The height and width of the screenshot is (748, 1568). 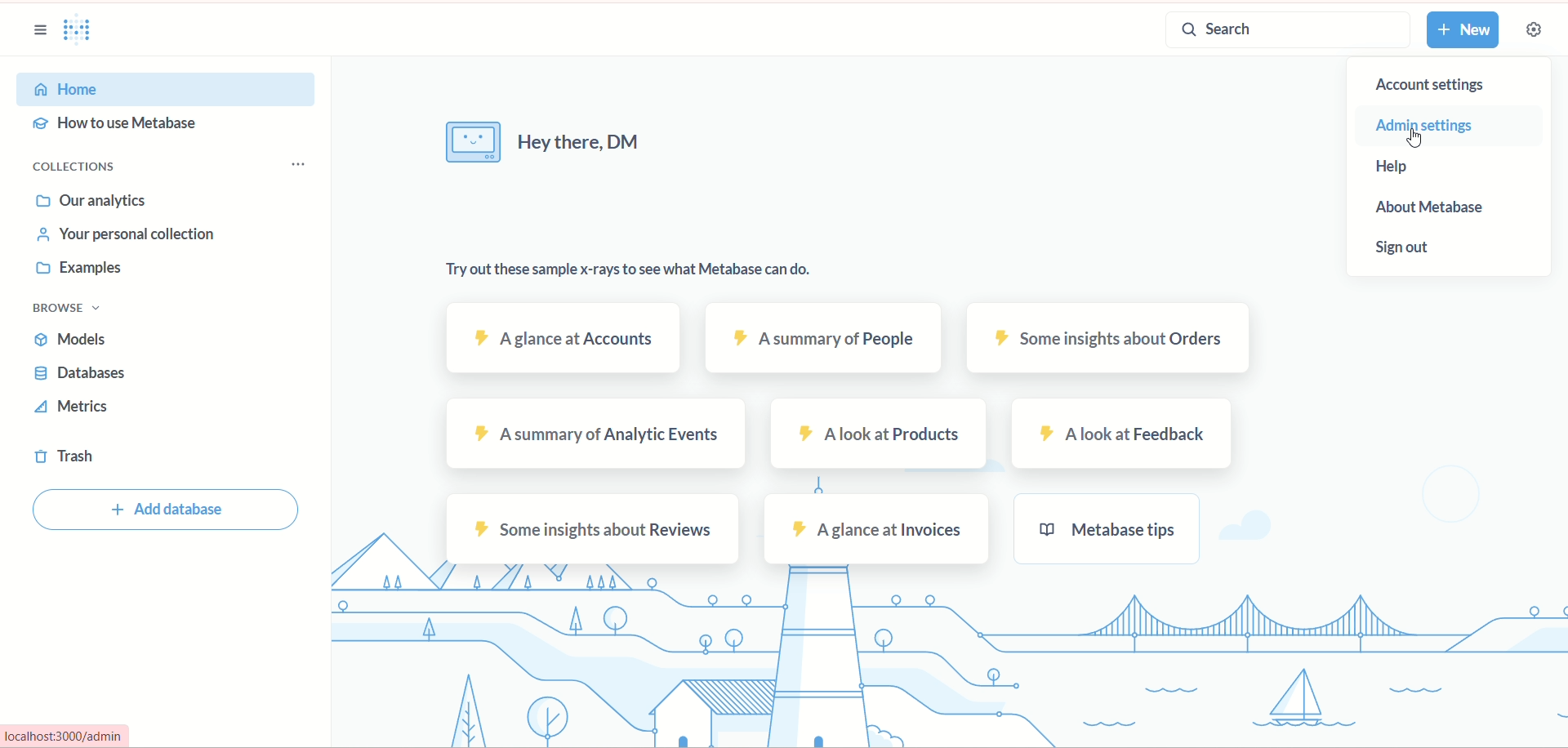 I want to click on about metabase, so click(x=1428, y=207).